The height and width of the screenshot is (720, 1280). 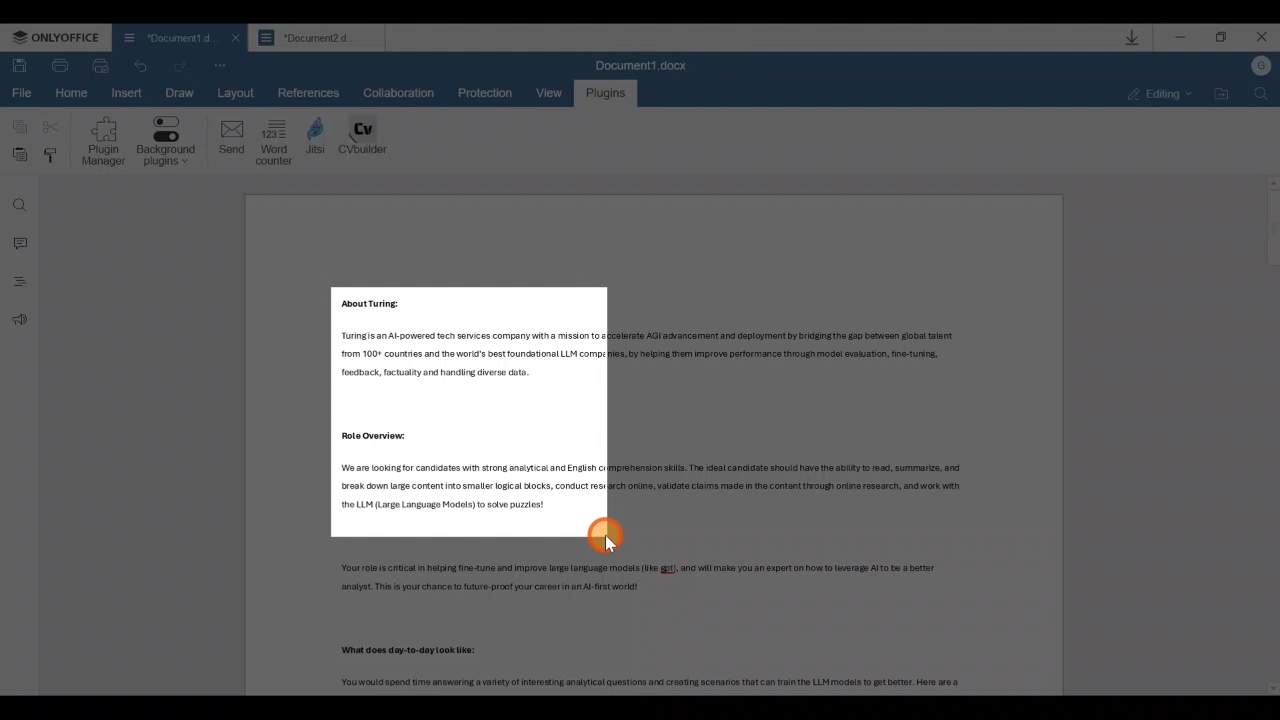 What do you see at coordinates (25, 95) in the screenshot?
I see `File` at bounding box center [25, 95].